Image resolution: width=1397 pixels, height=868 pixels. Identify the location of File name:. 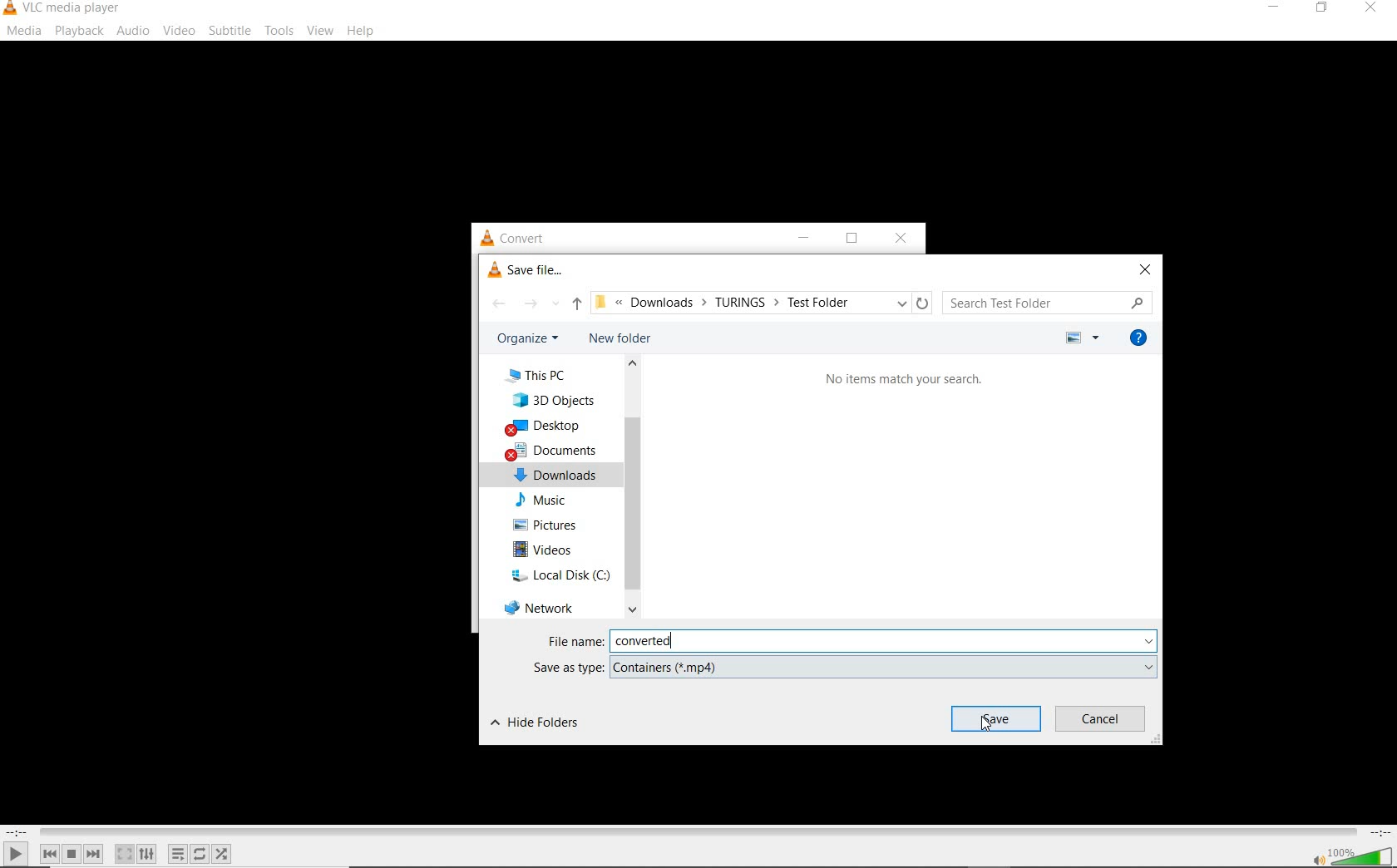
(575, 641).